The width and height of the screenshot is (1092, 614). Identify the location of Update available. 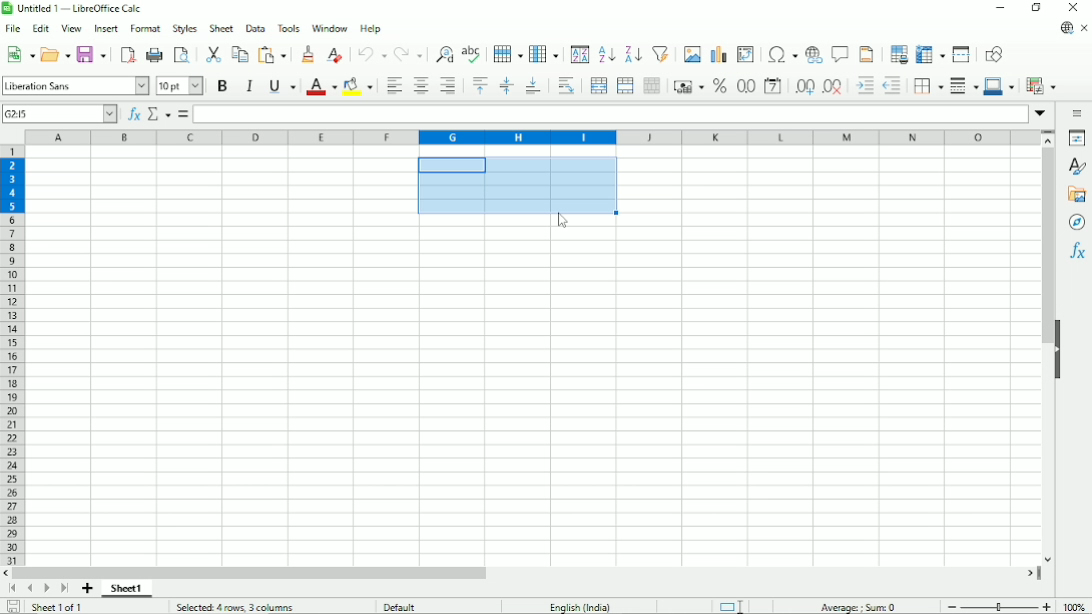
(1065, 28).